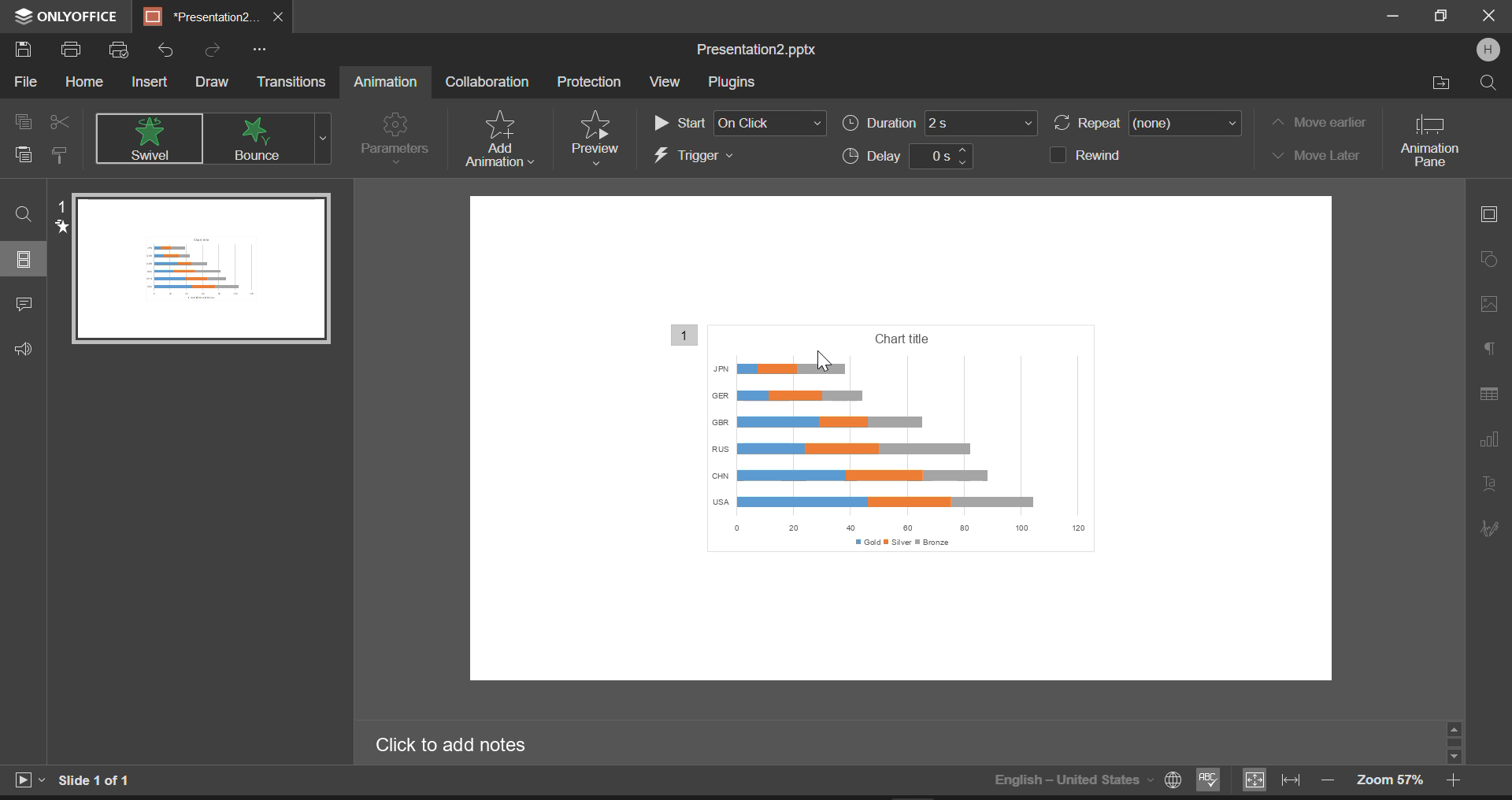 This screenshot has height=800, width=1512. I want to click on Slide Settings, so click(1487, 213).